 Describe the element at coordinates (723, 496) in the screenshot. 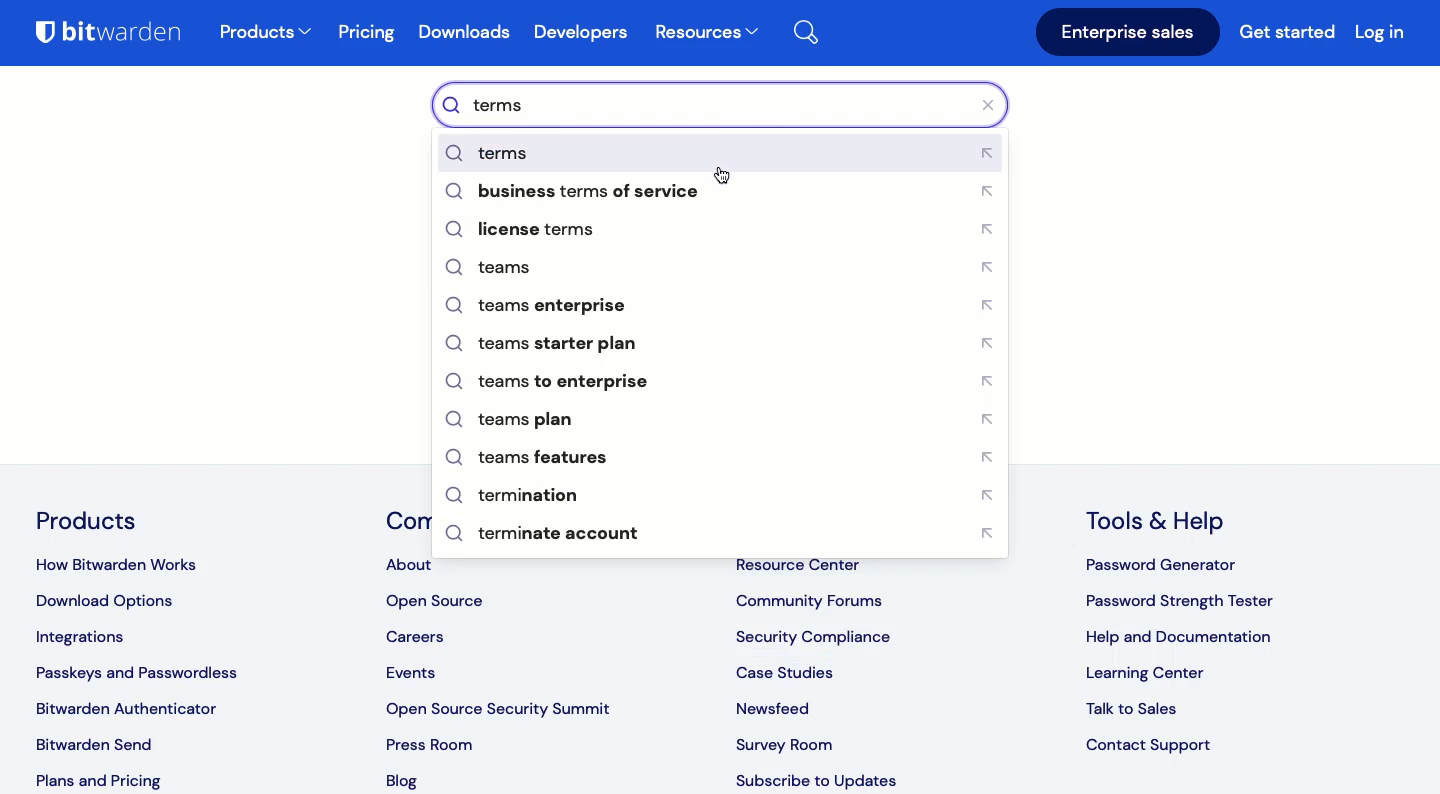

I see `termination` at that location.